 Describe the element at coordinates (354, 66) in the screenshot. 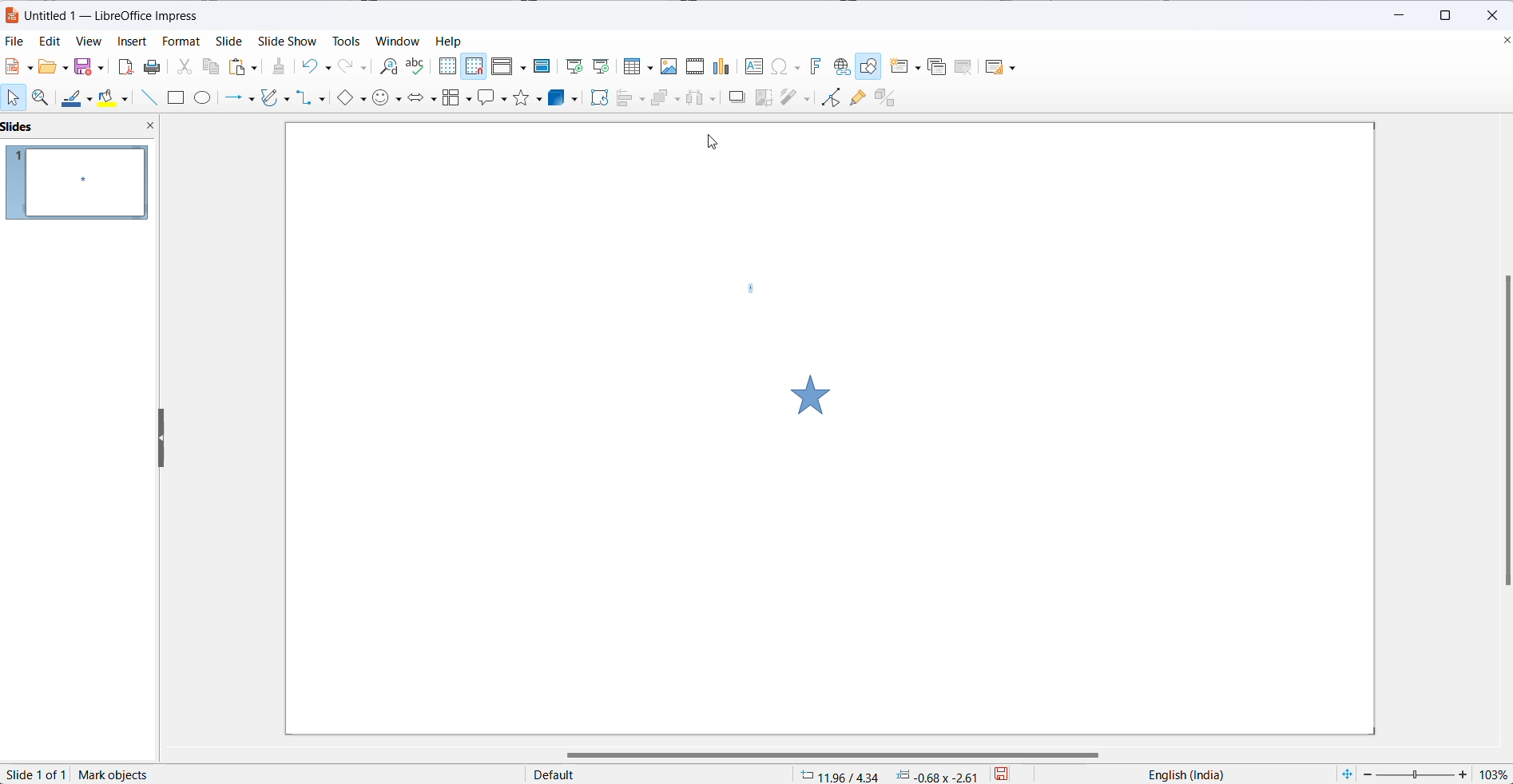

I see `redo` at that location.